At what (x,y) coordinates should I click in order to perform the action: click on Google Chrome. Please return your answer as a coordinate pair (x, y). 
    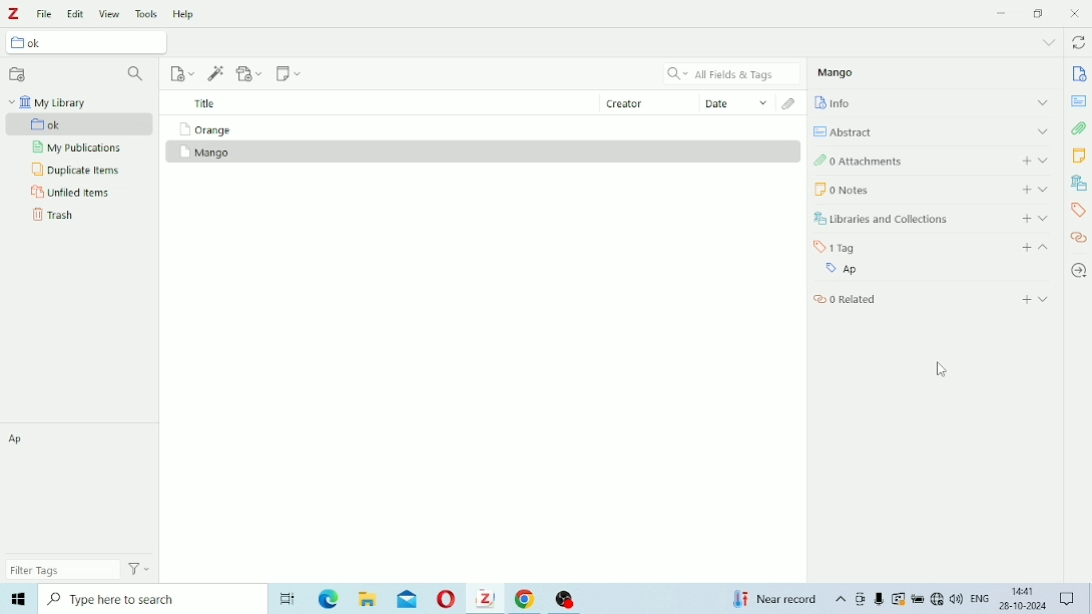
    Looking at the image, I should click on (526, 598).